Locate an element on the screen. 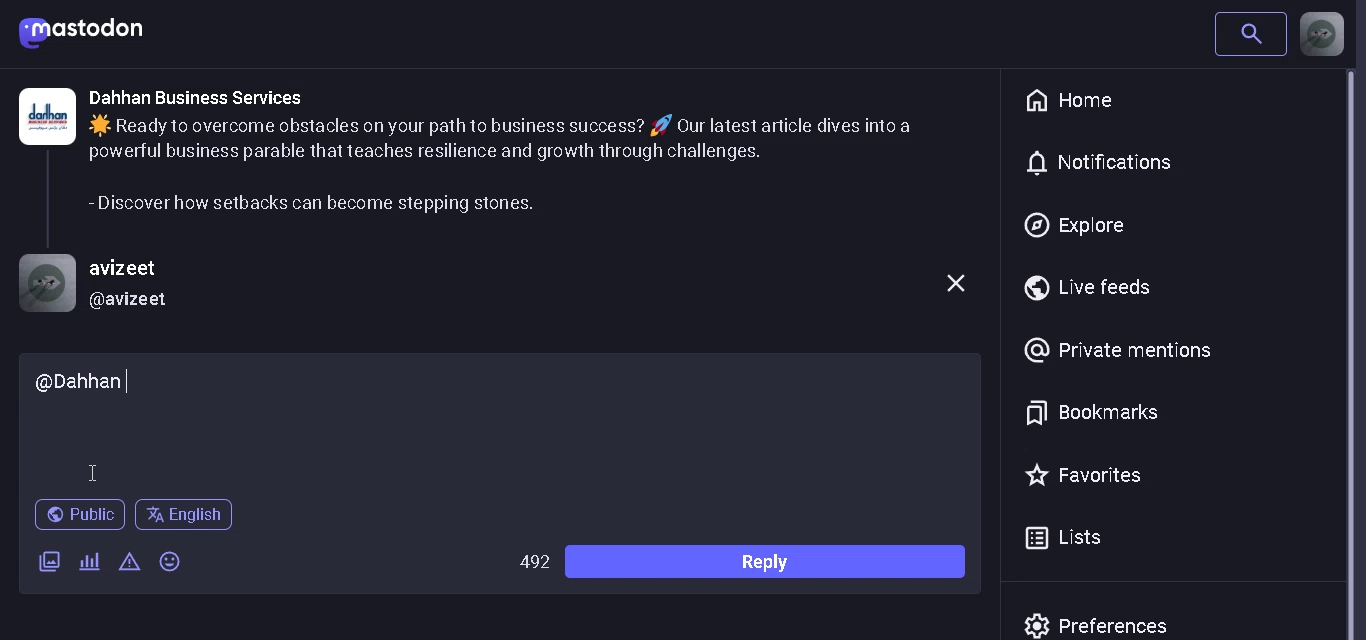 This screenshot has width=1366, height=640. favorites is located at coordinates (1089, 475).